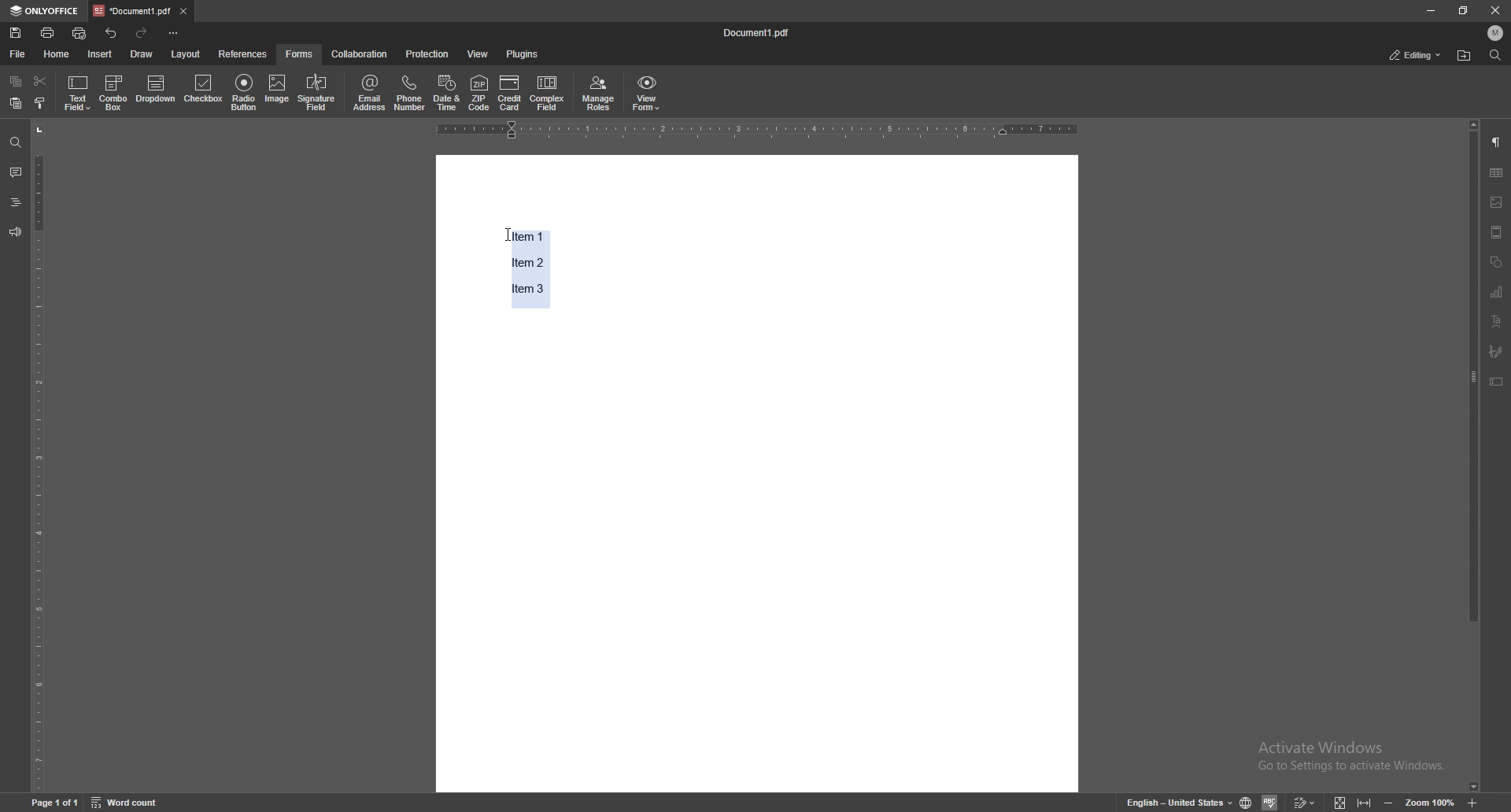 The image size is (1511, 812). What do you see at coordinates (48, 32) in the screenshot?
I see `print` at bounding box center [48, 32].